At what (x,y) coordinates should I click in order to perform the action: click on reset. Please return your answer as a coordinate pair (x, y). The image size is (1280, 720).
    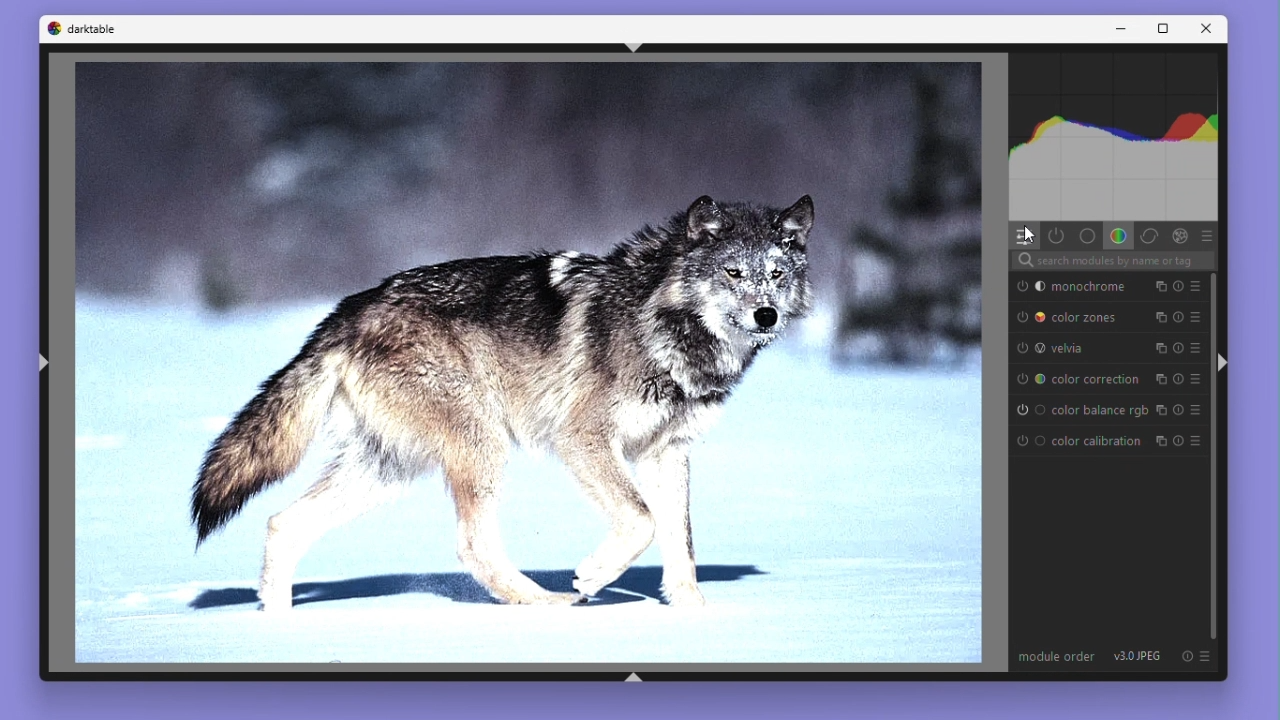
    Looking at the image, I should click on (1179, 316).